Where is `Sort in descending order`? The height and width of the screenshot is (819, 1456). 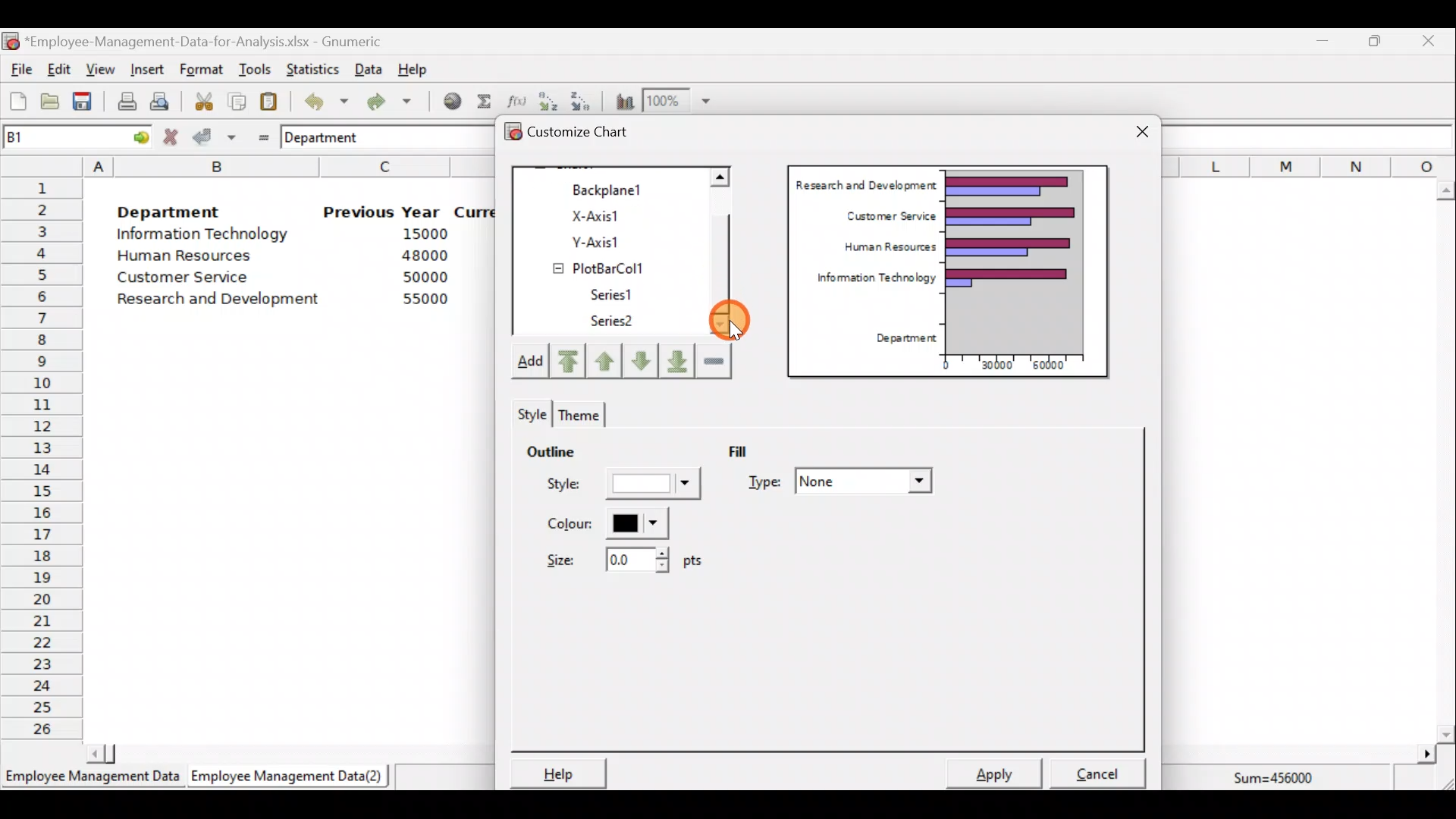 Sort in descending order is located at coordinates (582, 100).